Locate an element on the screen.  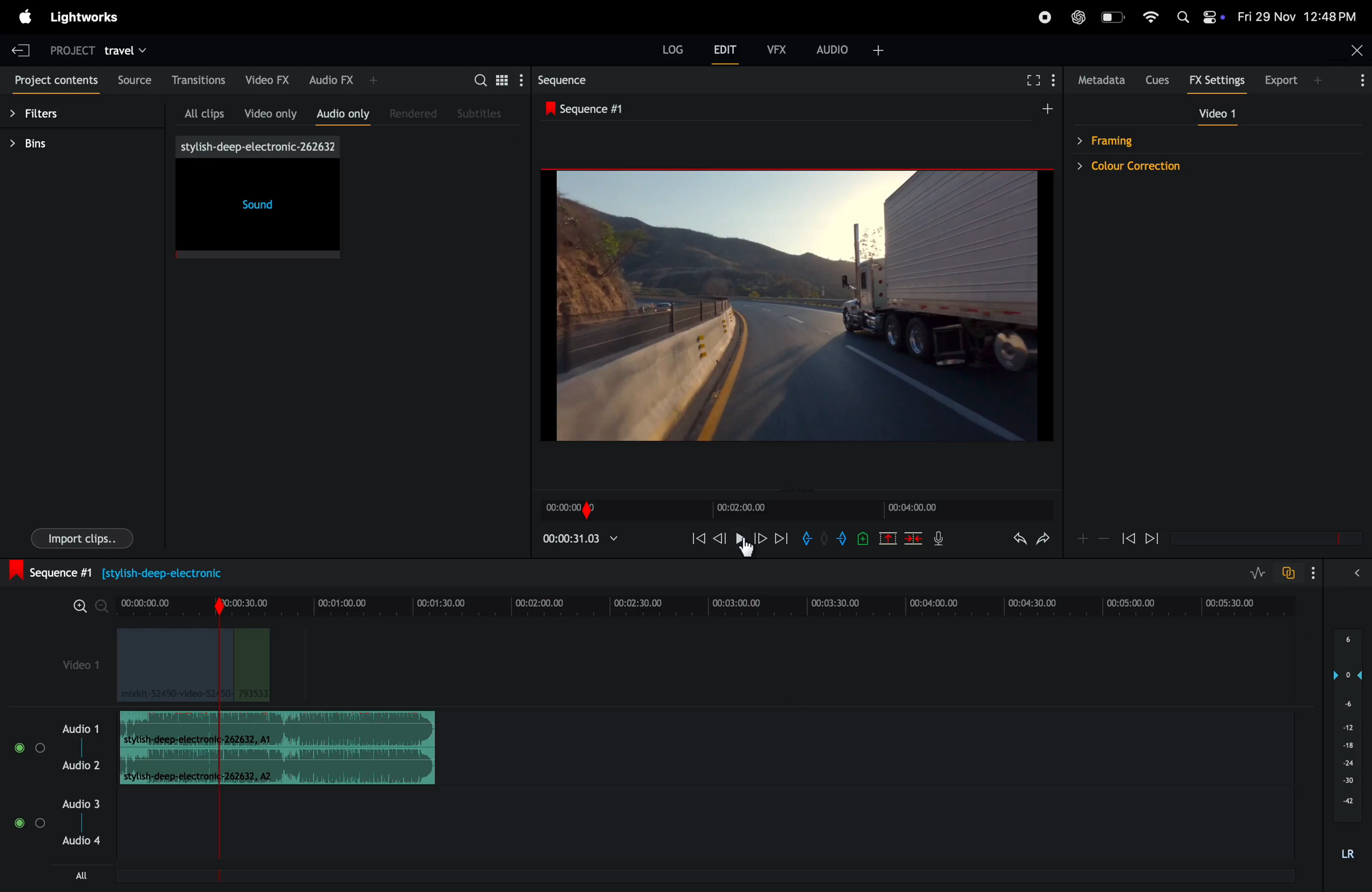
toggle auto track sync is located at coordinates (1287, 573).